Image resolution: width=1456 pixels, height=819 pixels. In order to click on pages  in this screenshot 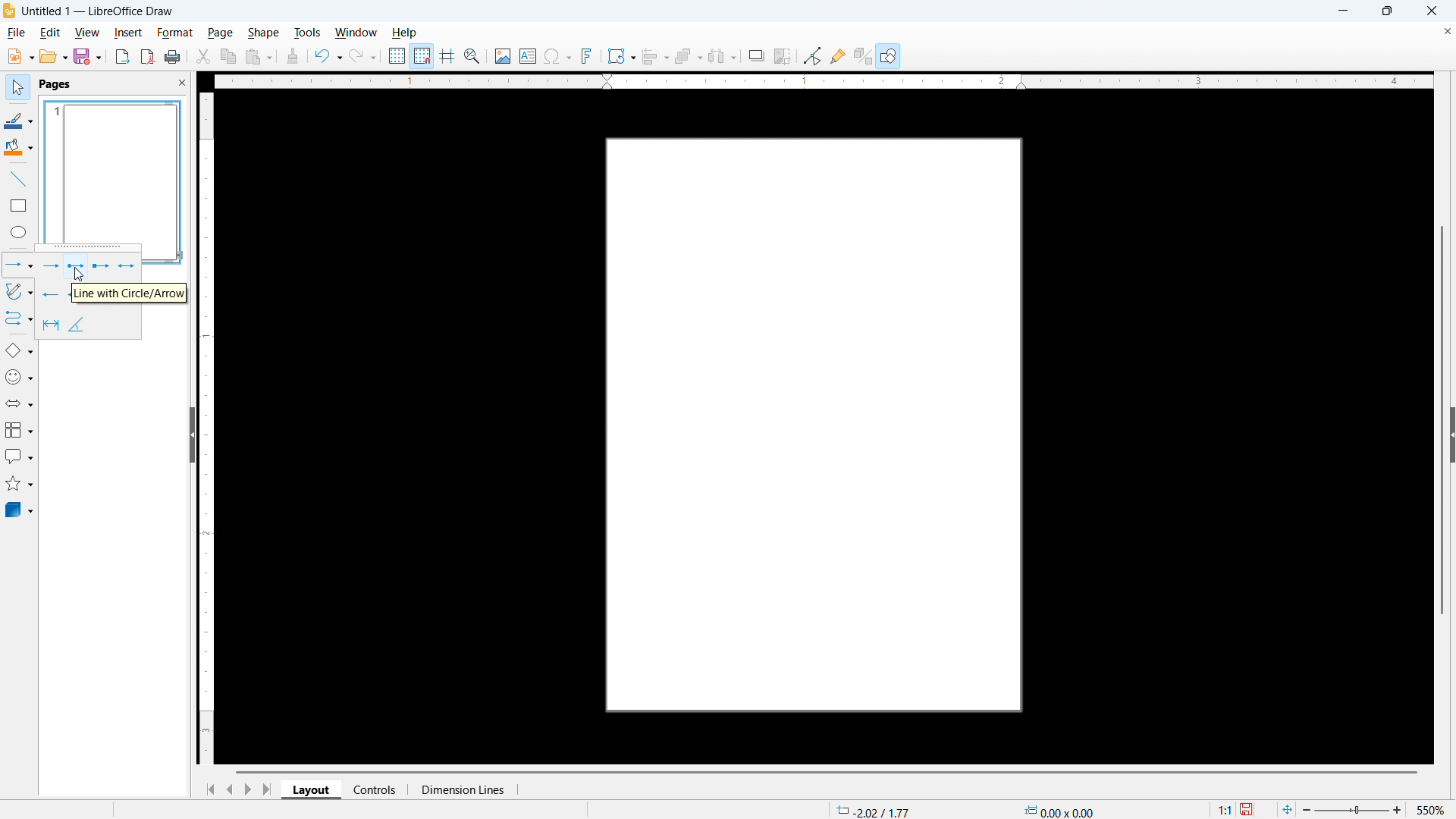, I will do `click(57, 84)`.